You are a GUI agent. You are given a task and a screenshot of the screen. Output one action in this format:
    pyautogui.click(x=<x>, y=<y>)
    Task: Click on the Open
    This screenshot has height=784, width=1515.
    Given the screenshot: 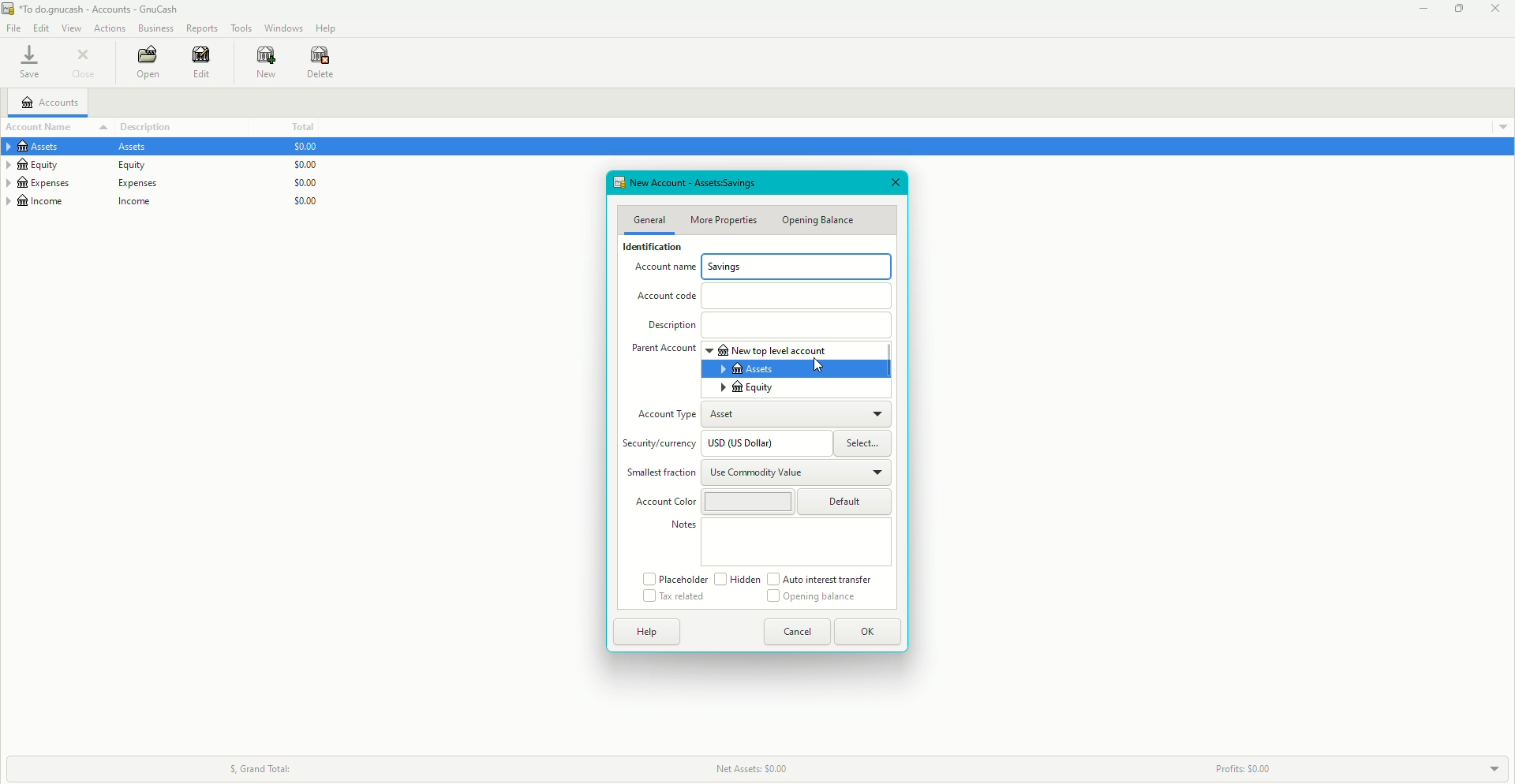 What is the action you would take?
    pyautogui.click(x=146, y=64)
    